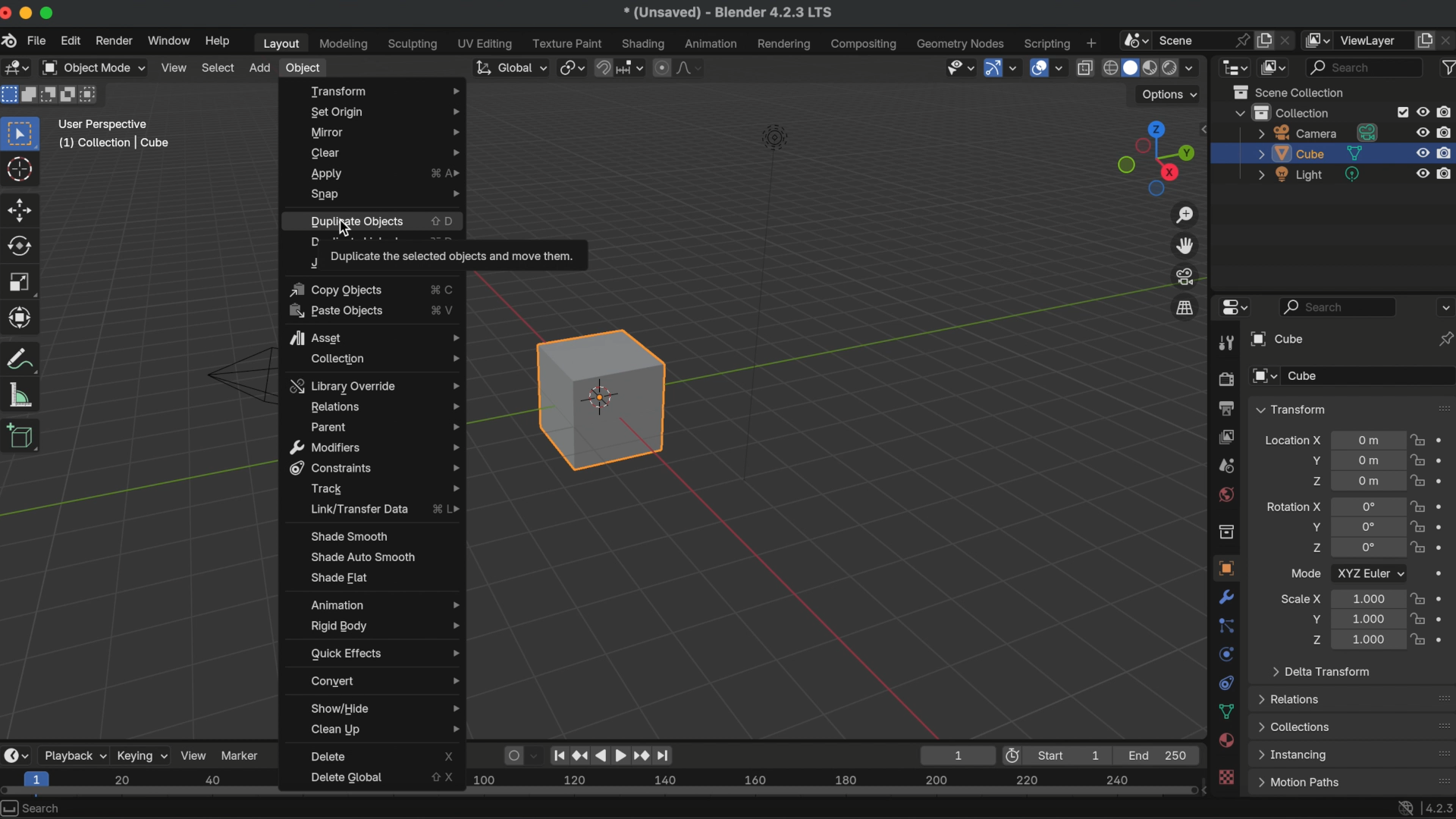 This screenshot has height=819, width=1456. Describe the element at coordinates (486, 43) in the screenshot. I see `UV editing` at that location.